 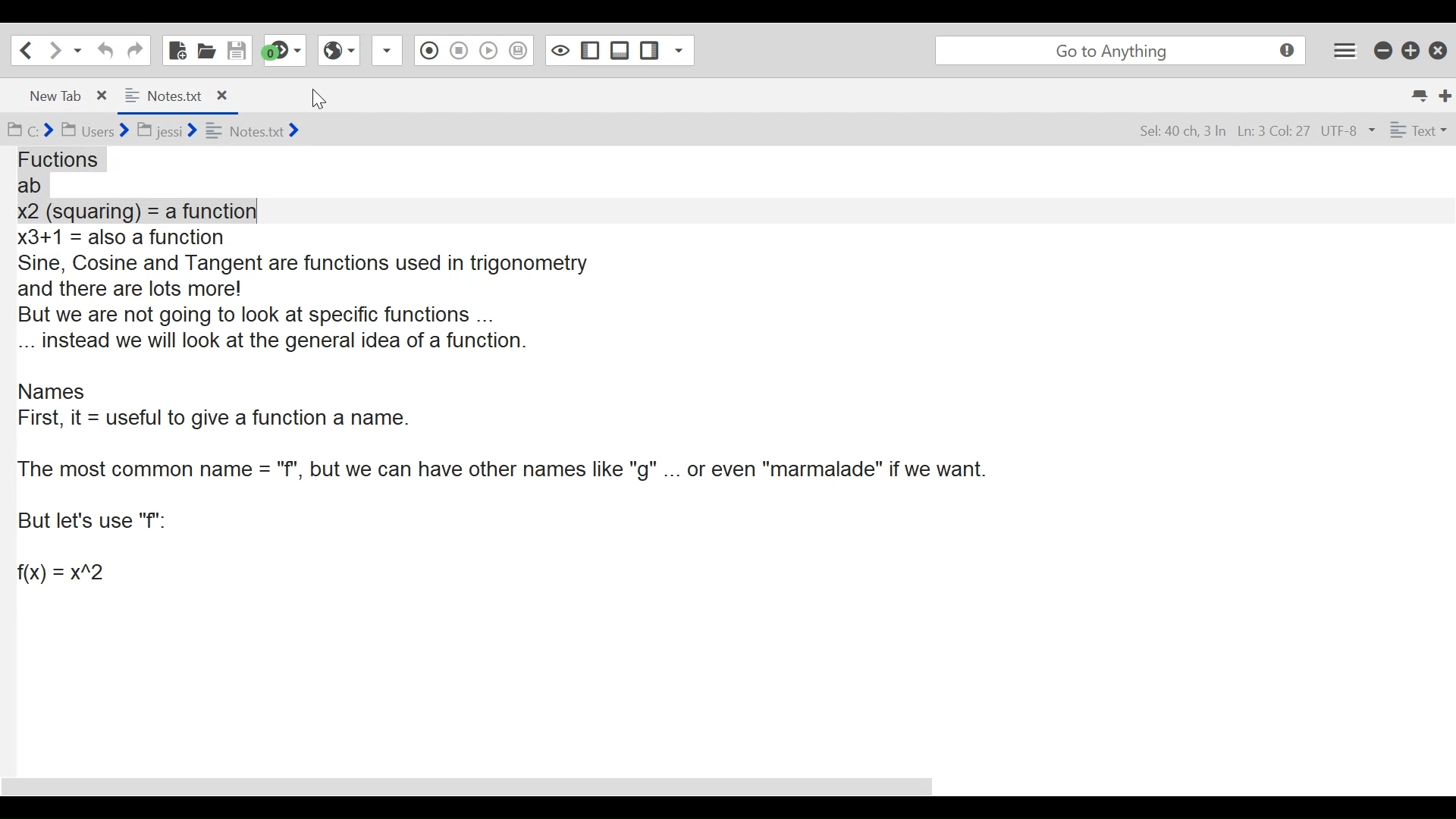 What do you see at coordinates (519, 50) in the screenshot?
I see `play` at bounding box center [519, 50].